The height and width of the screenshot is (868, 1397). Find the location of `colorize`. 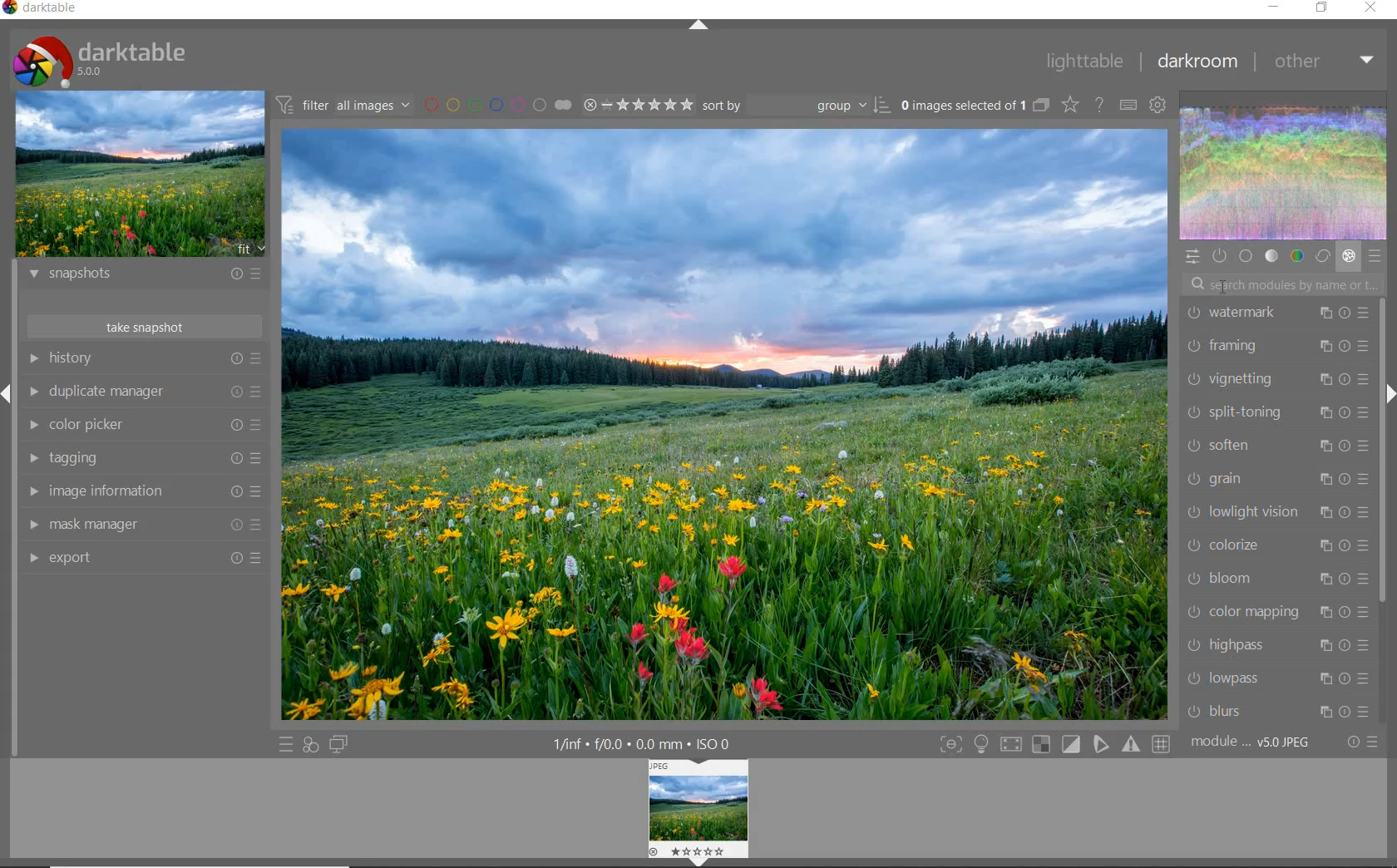

colorize is located at coordinates (1275, 547).